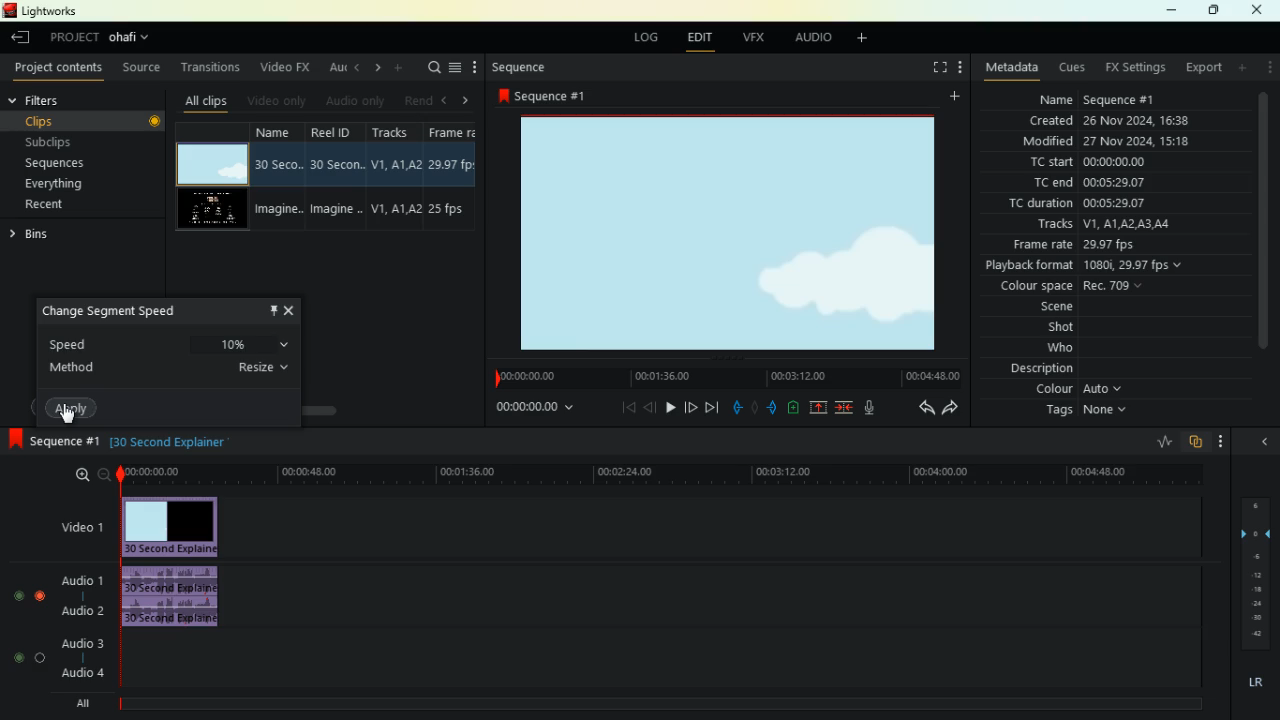 This screenshot has height=720, width=1280. I want to click on add, so click(869, 40).